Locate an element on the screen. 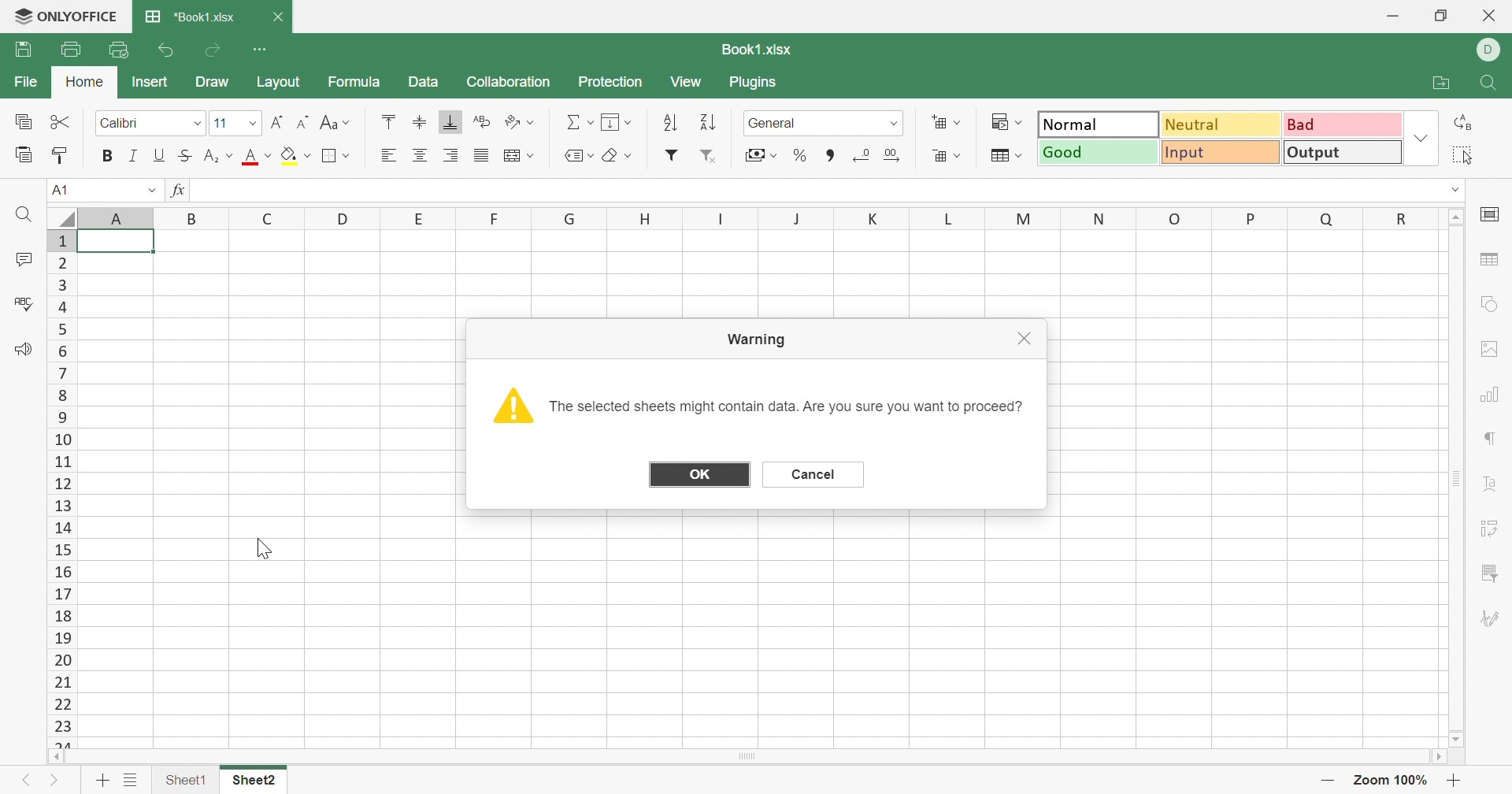 The height and width of the screenshot is (794, 1512). Find is located at coordinates (28, 216).